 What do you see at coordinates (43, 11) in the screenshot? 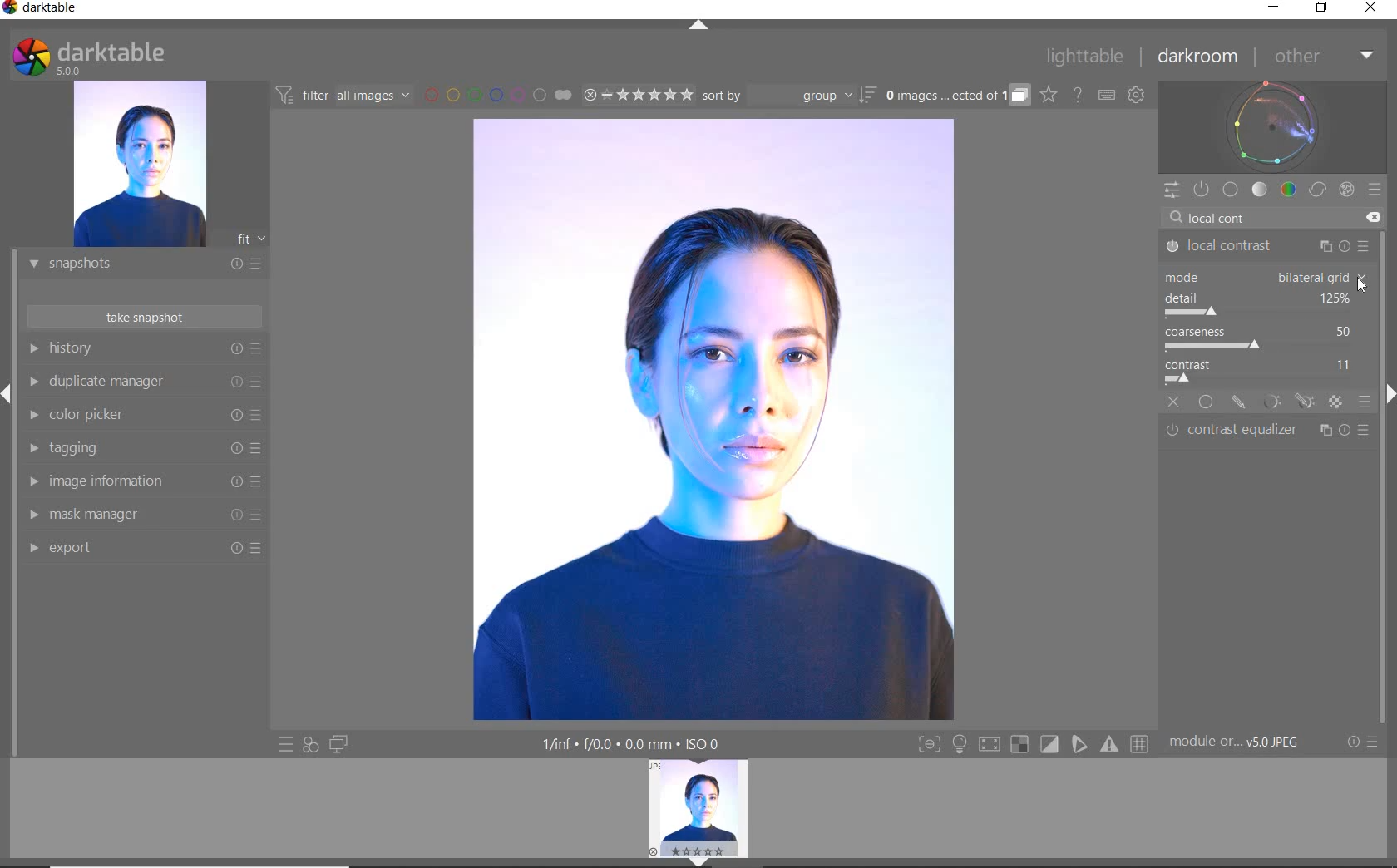
I see `SYSTEM NAME` at bounding box center [43, 11].